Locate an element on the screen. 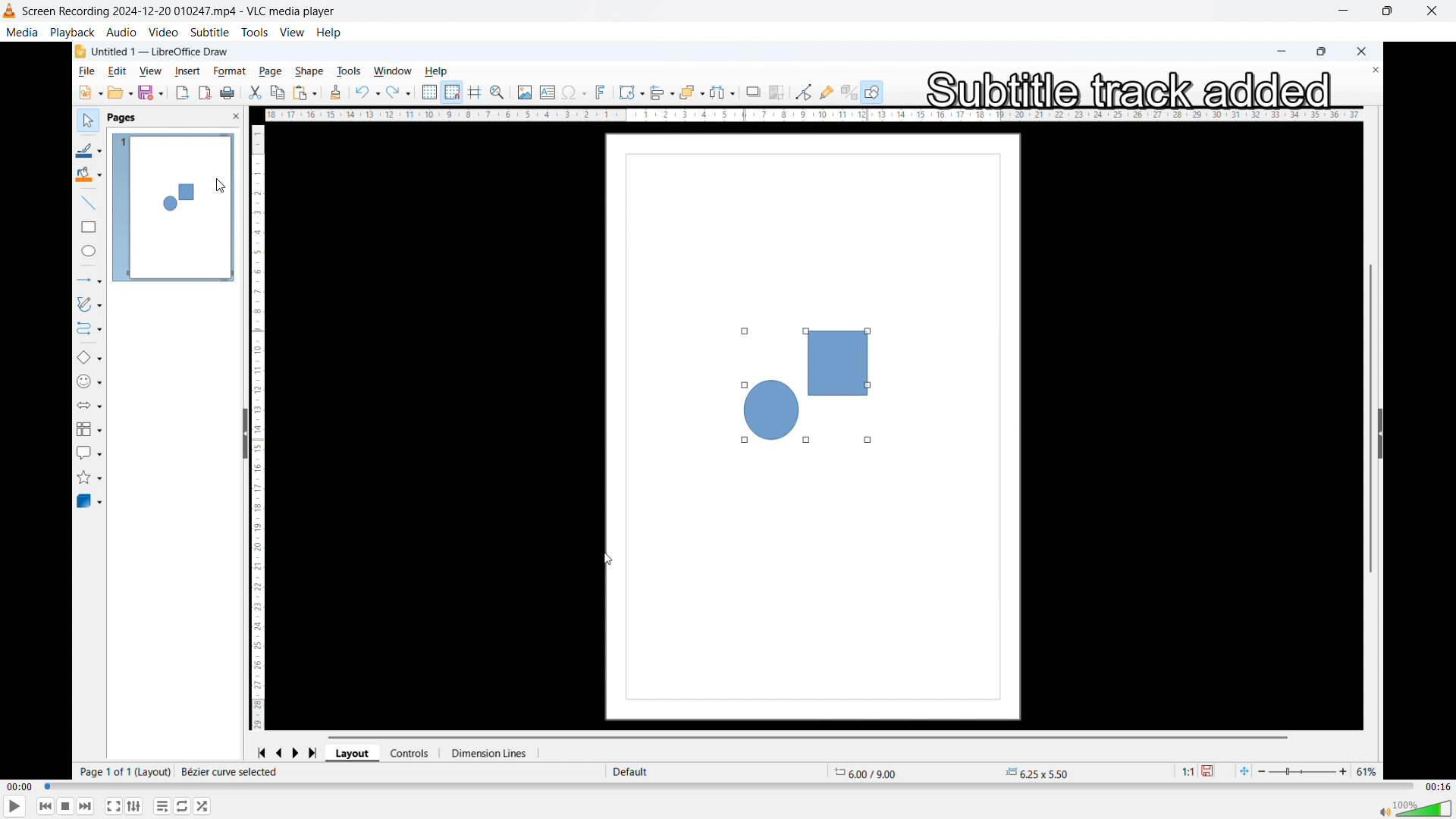 The image size is (1456, 819). Maximize  is located at coordinates (1385, 11).